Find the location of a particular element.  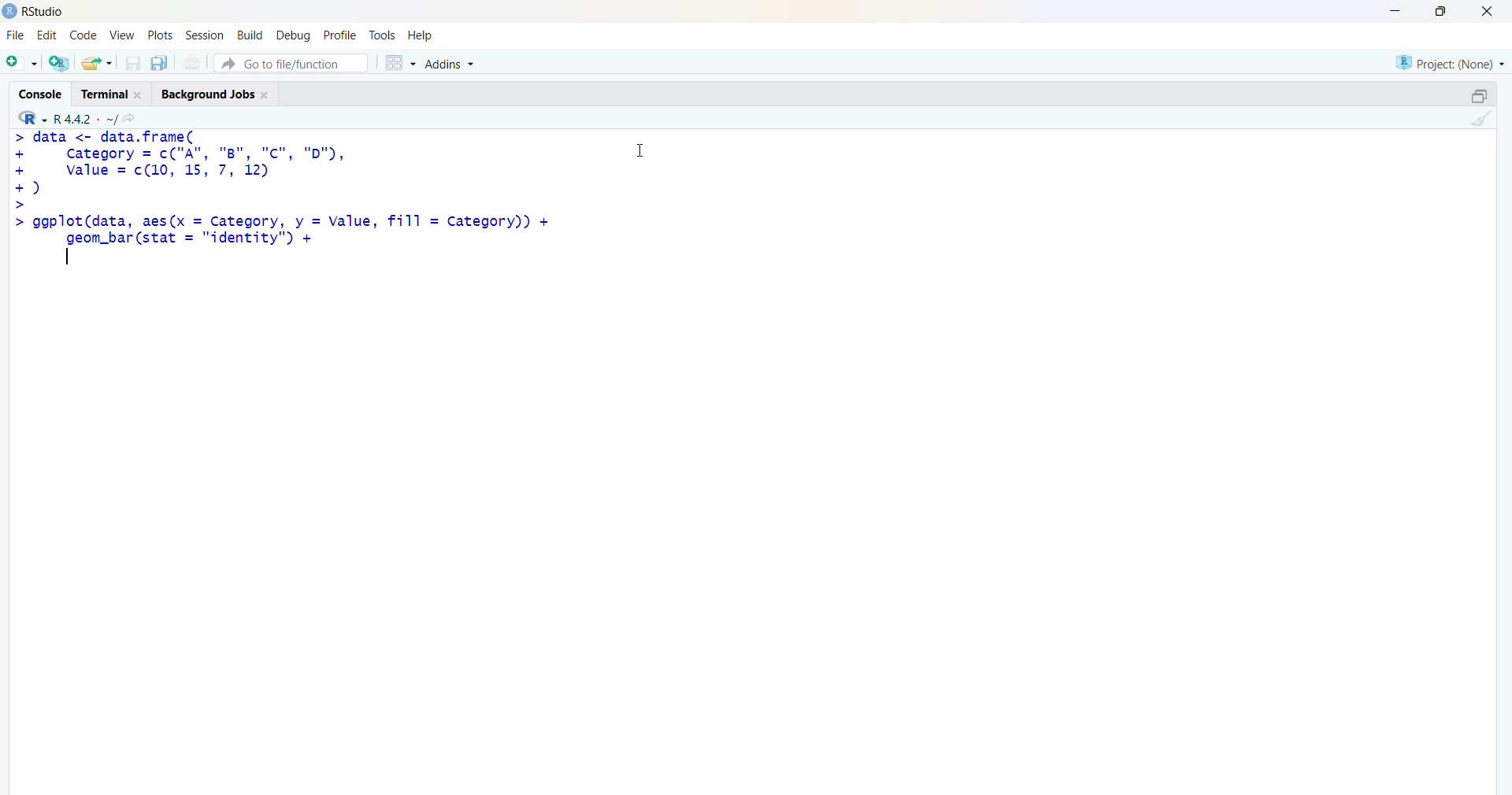

clear console is located at coordinates (1479, 118).